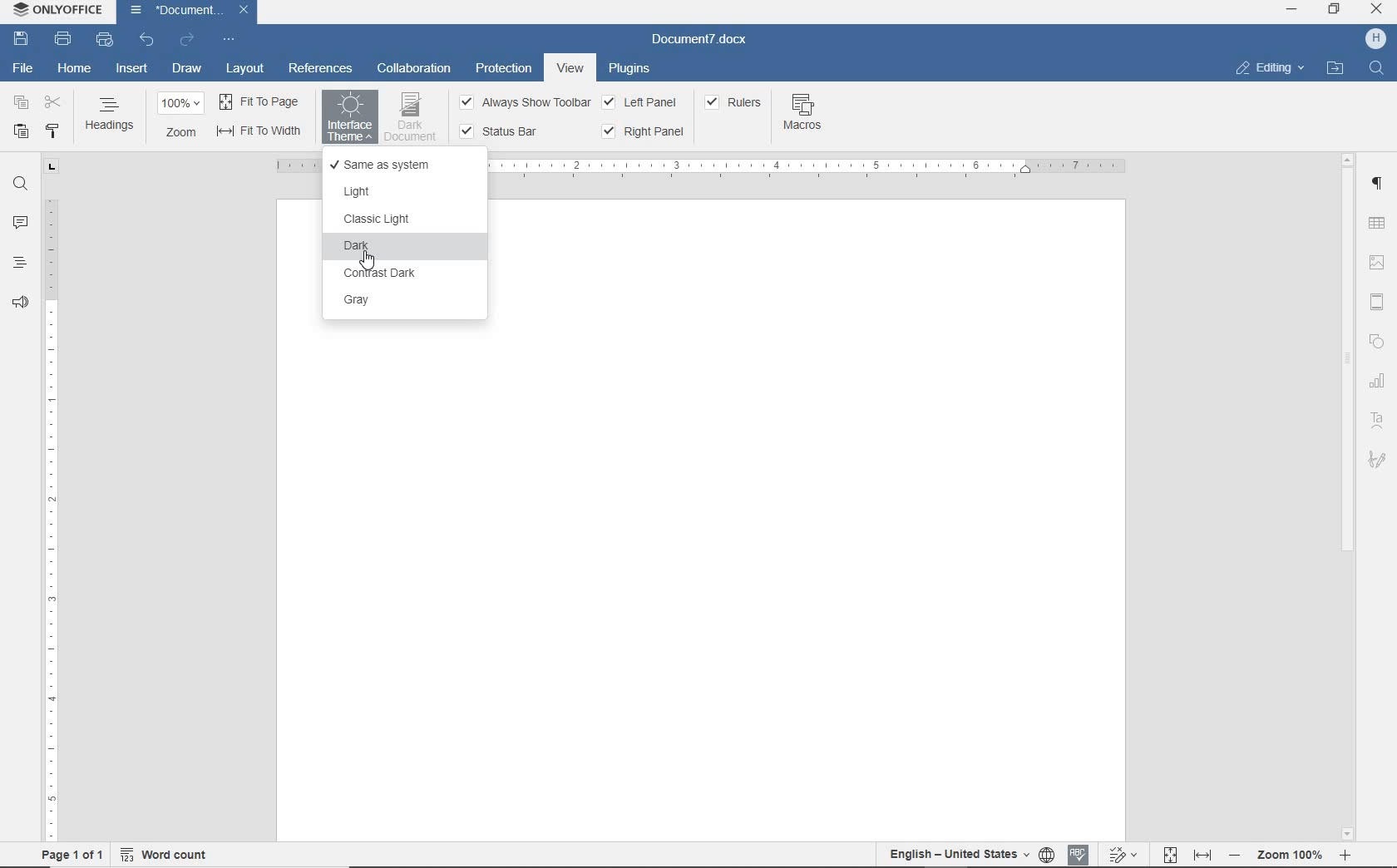 Image resolution: width=1397 pixels, height=868 pixels. I want to click on cursor, so click(377, 259).